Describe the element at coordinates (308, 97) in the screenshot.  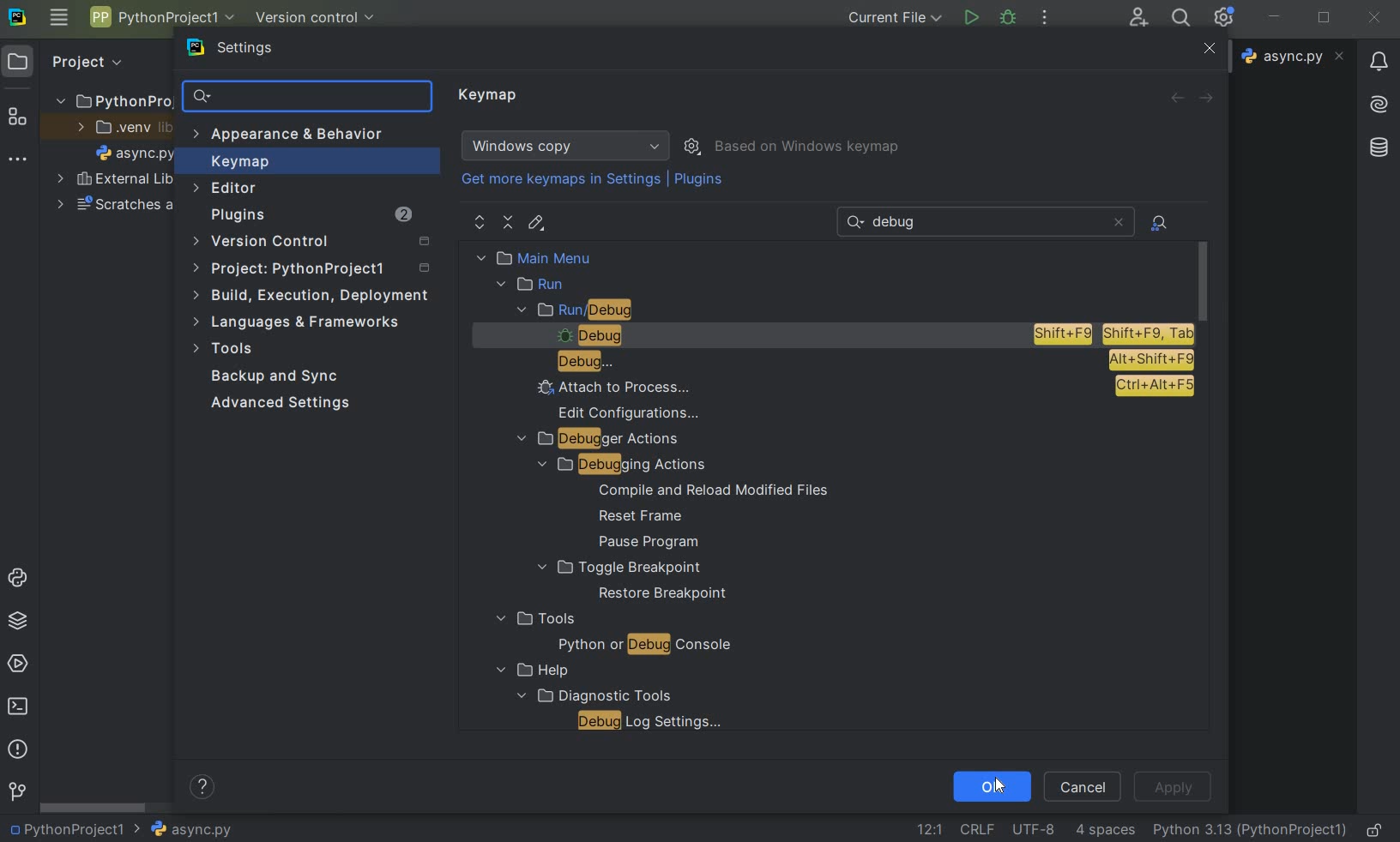
I see `search settings` at that location.